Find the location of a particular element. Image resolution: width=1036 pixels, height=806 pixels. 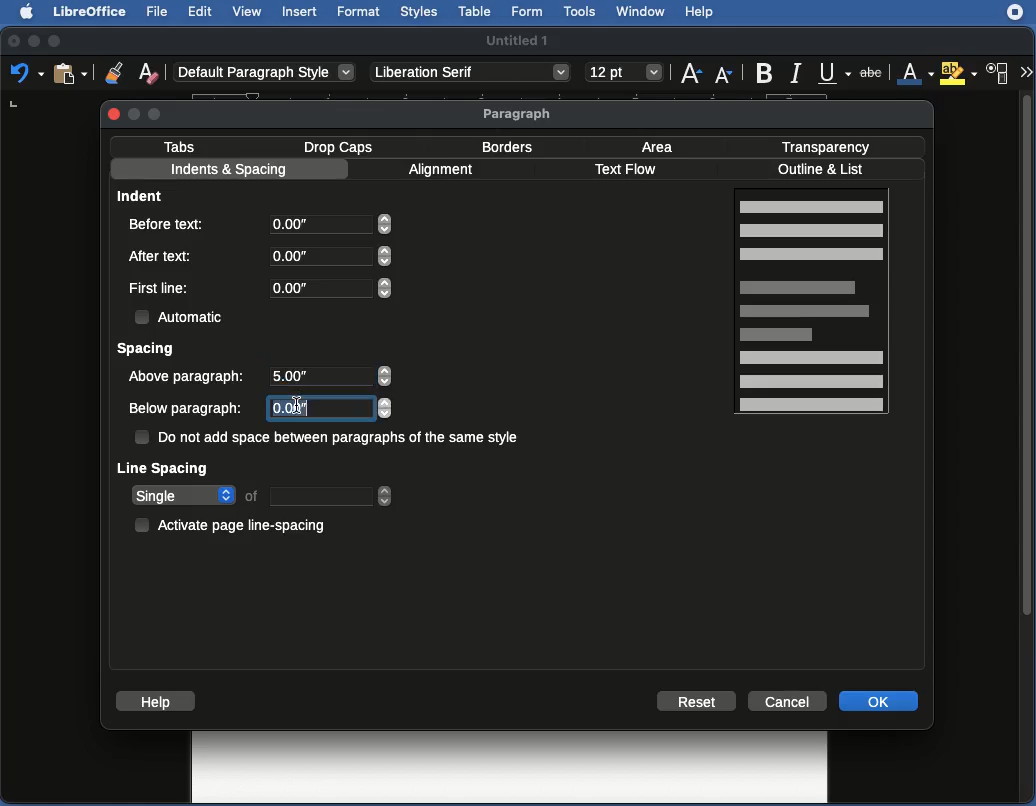

Outline and list is located at coordinates (824, 170).